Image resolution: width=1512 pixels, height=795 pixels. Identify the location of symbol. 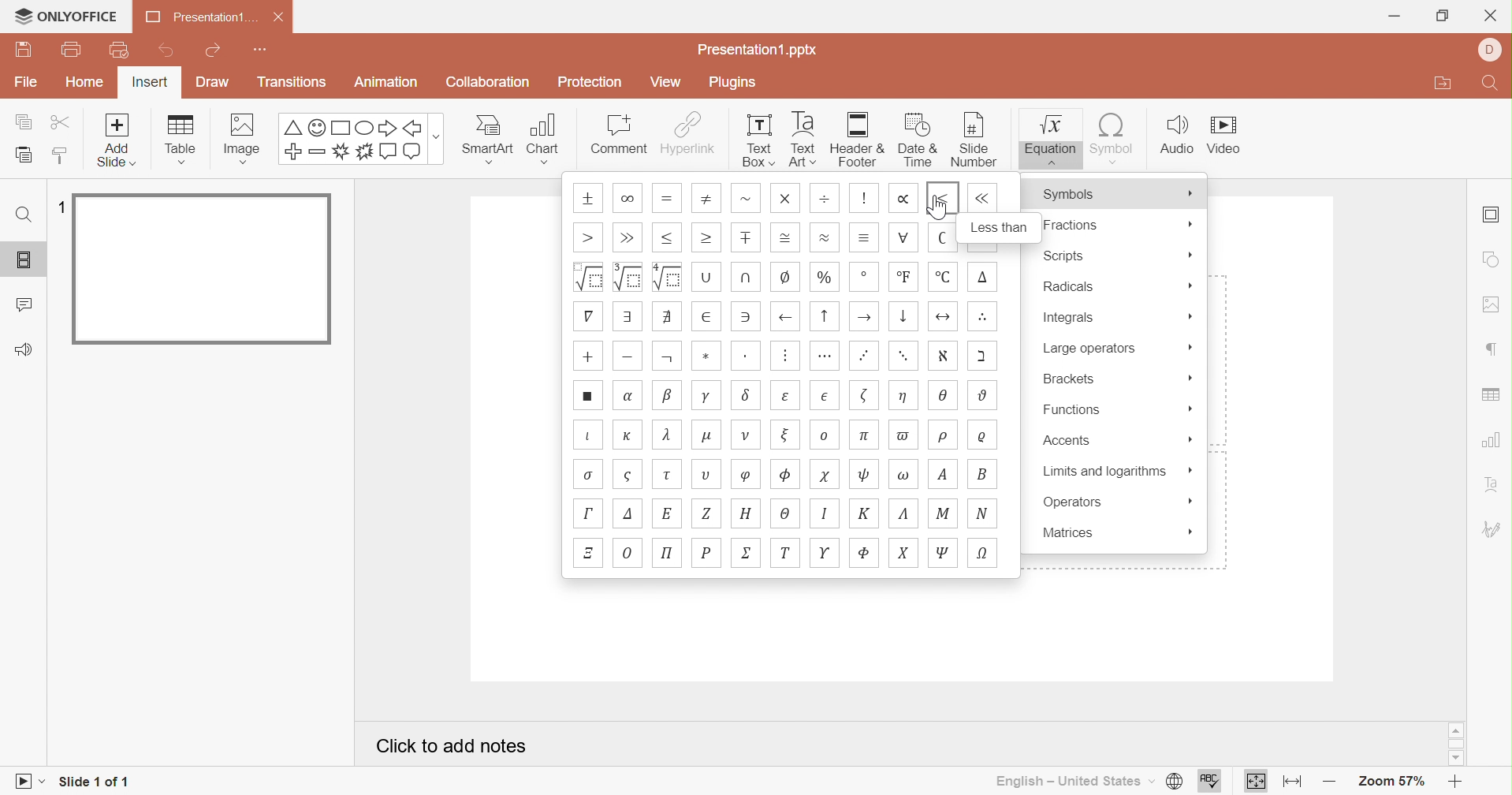
(983, 198).